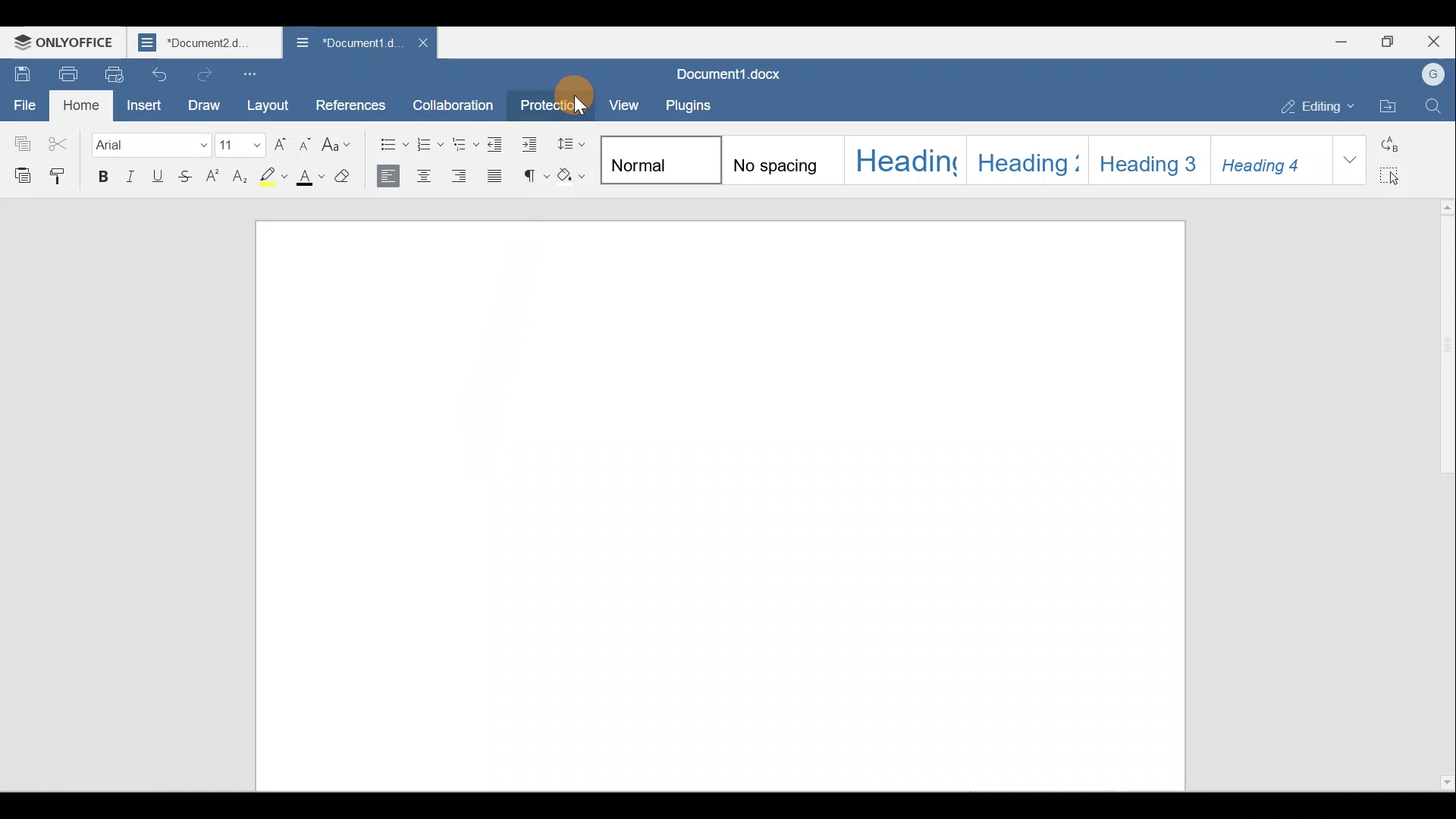 Image resolution: width=1456 pixels, height=819 pixels. I want to click on Italic, so click(133, 176).